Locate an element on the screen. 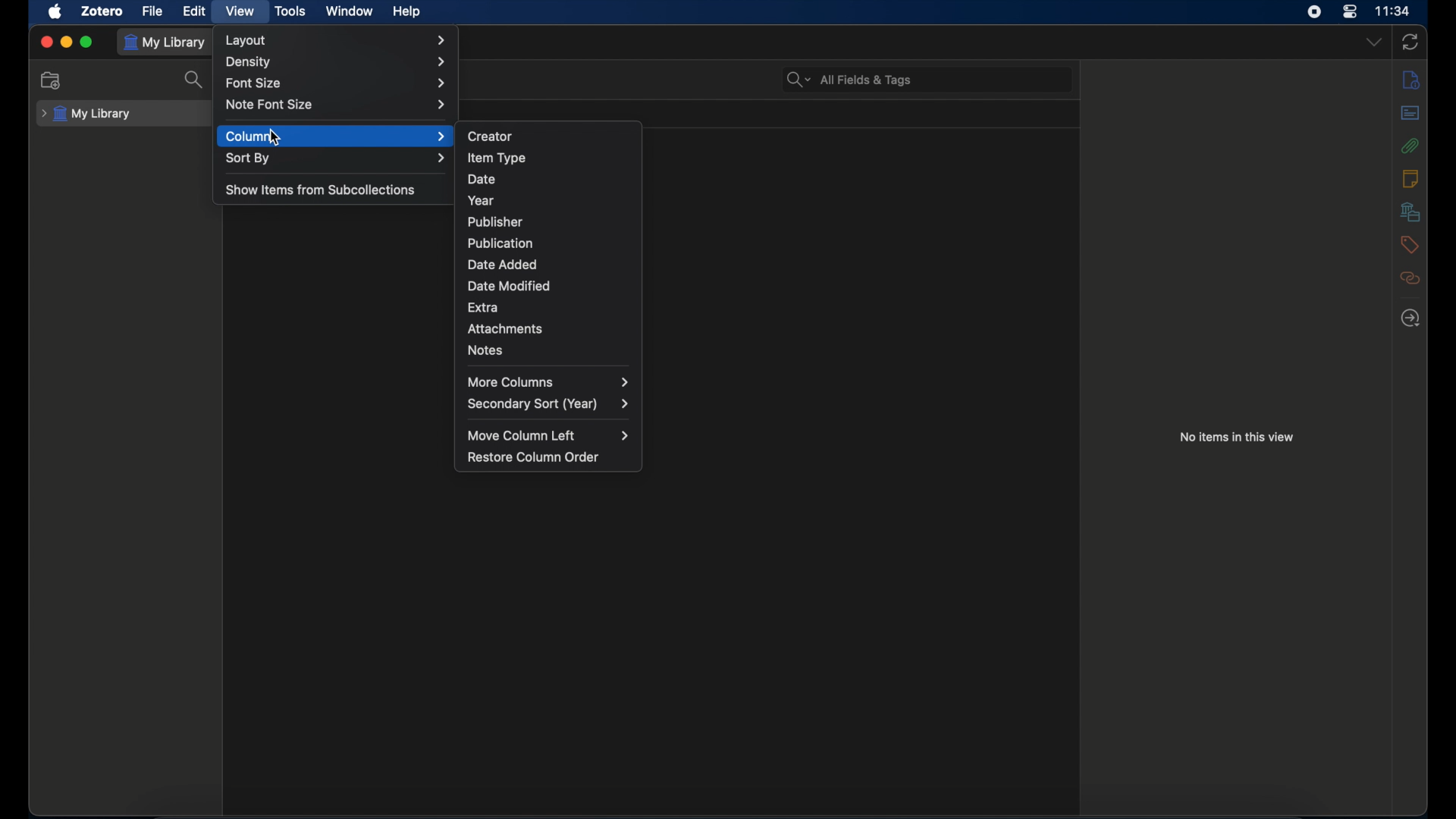 This screenshot has height=819, width=1456. my library is located at coordinates (86, 114).